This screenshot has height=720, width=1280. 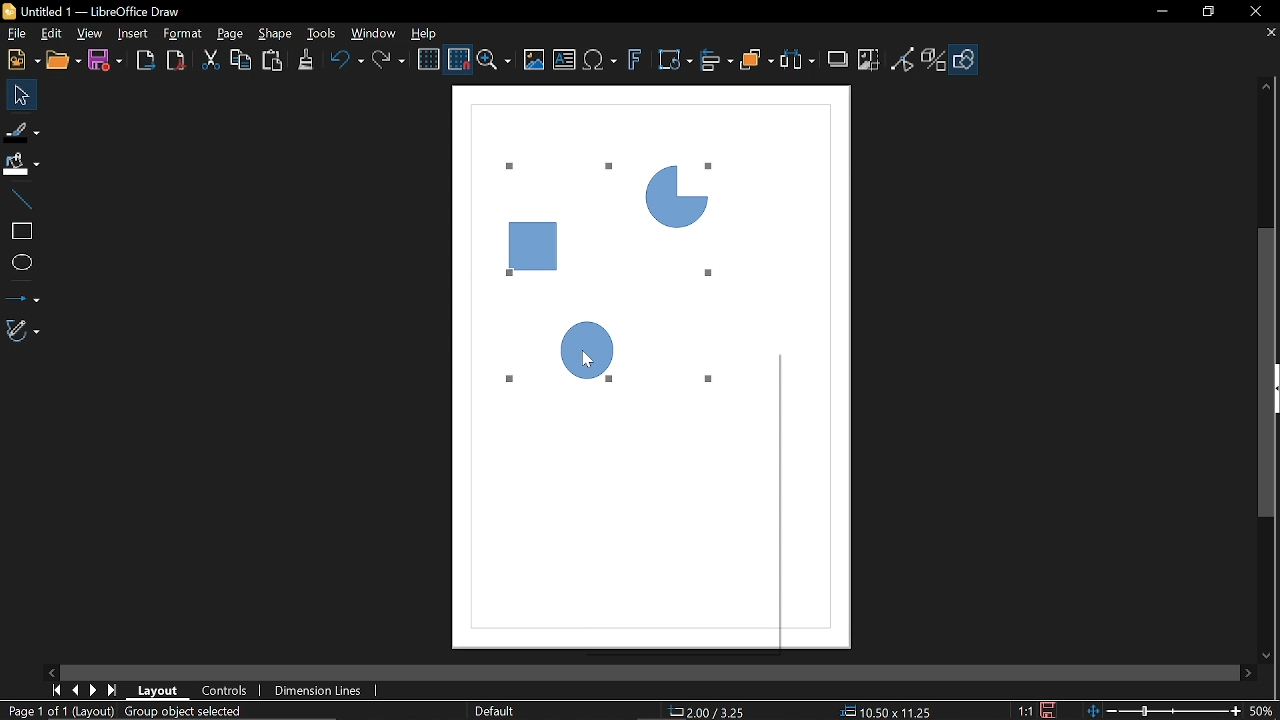 What do you see at coordinates (24, 295) in the screenshot?
I see `Lines and arrows` at bounding box center [24, 295].